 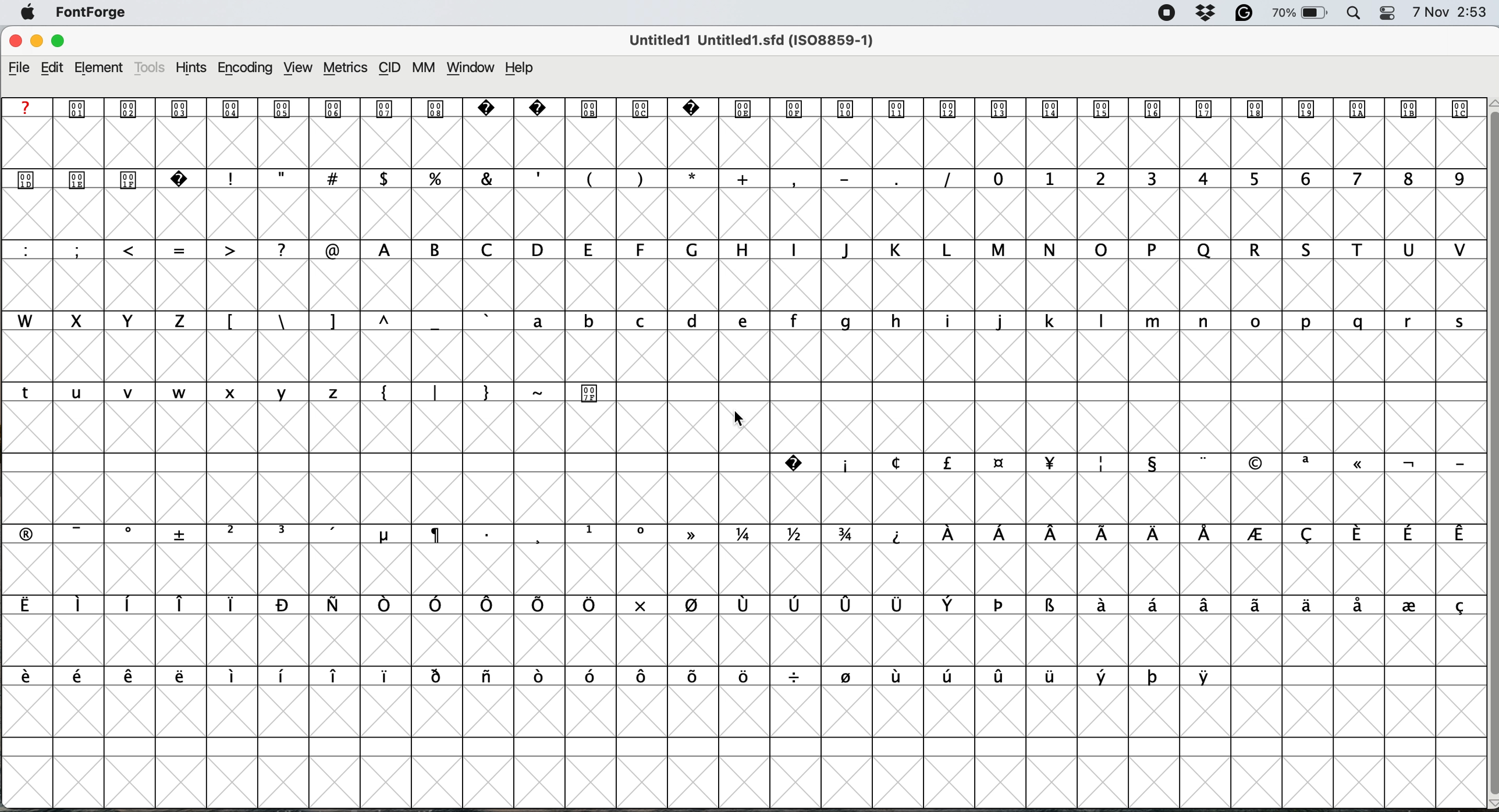 What do you see at coordinates (742, 606) in the screenshot?
I see `special characters` at bounding box center [742, 606].